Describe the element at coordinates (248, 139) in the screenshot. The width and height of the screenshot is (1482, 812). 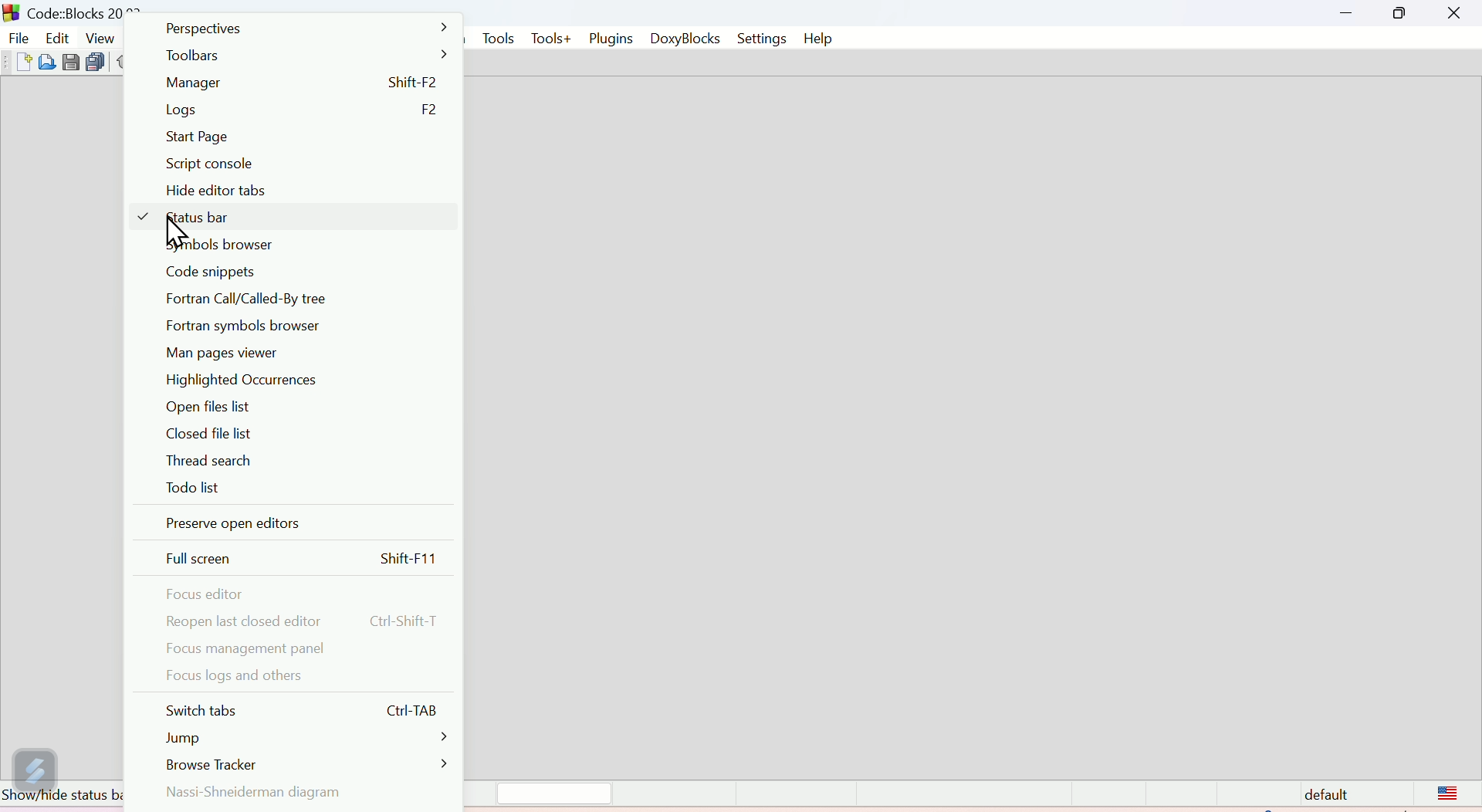
I see `start page` at that location.